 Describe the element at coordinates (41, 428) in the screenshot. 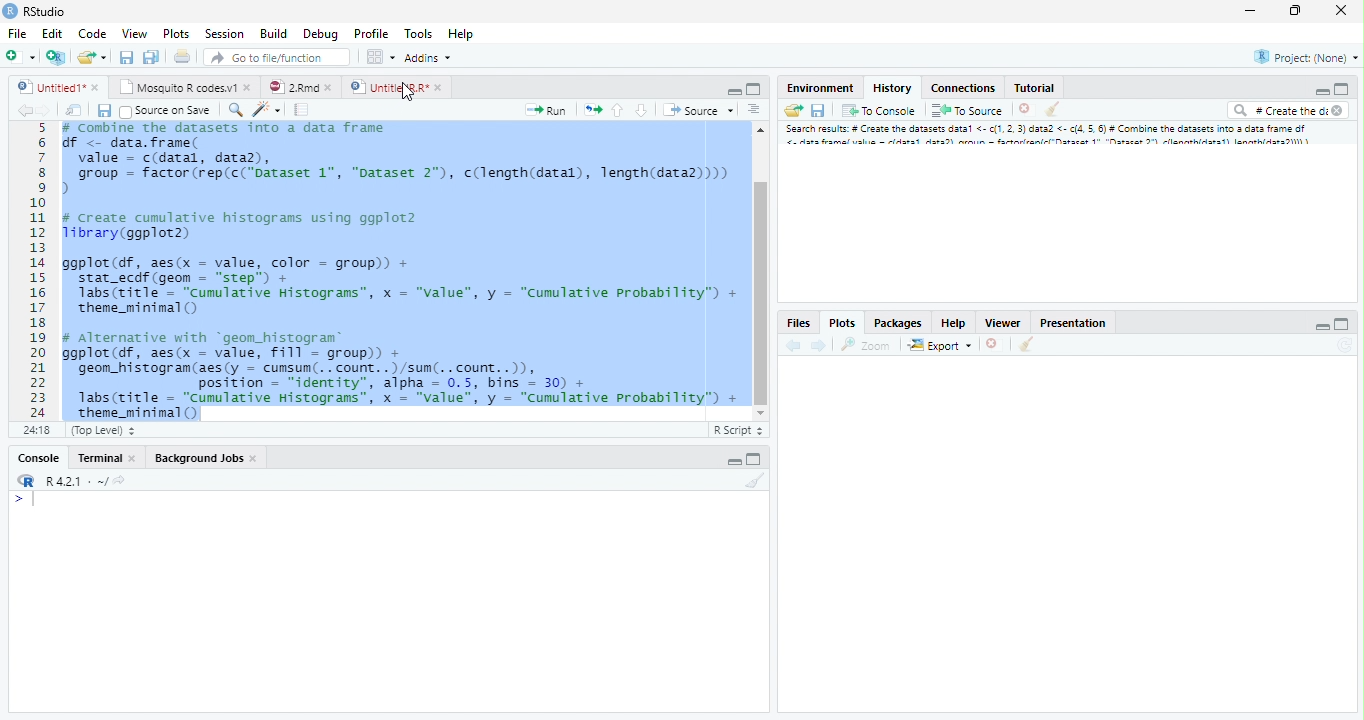

I see `1:1` at that location.